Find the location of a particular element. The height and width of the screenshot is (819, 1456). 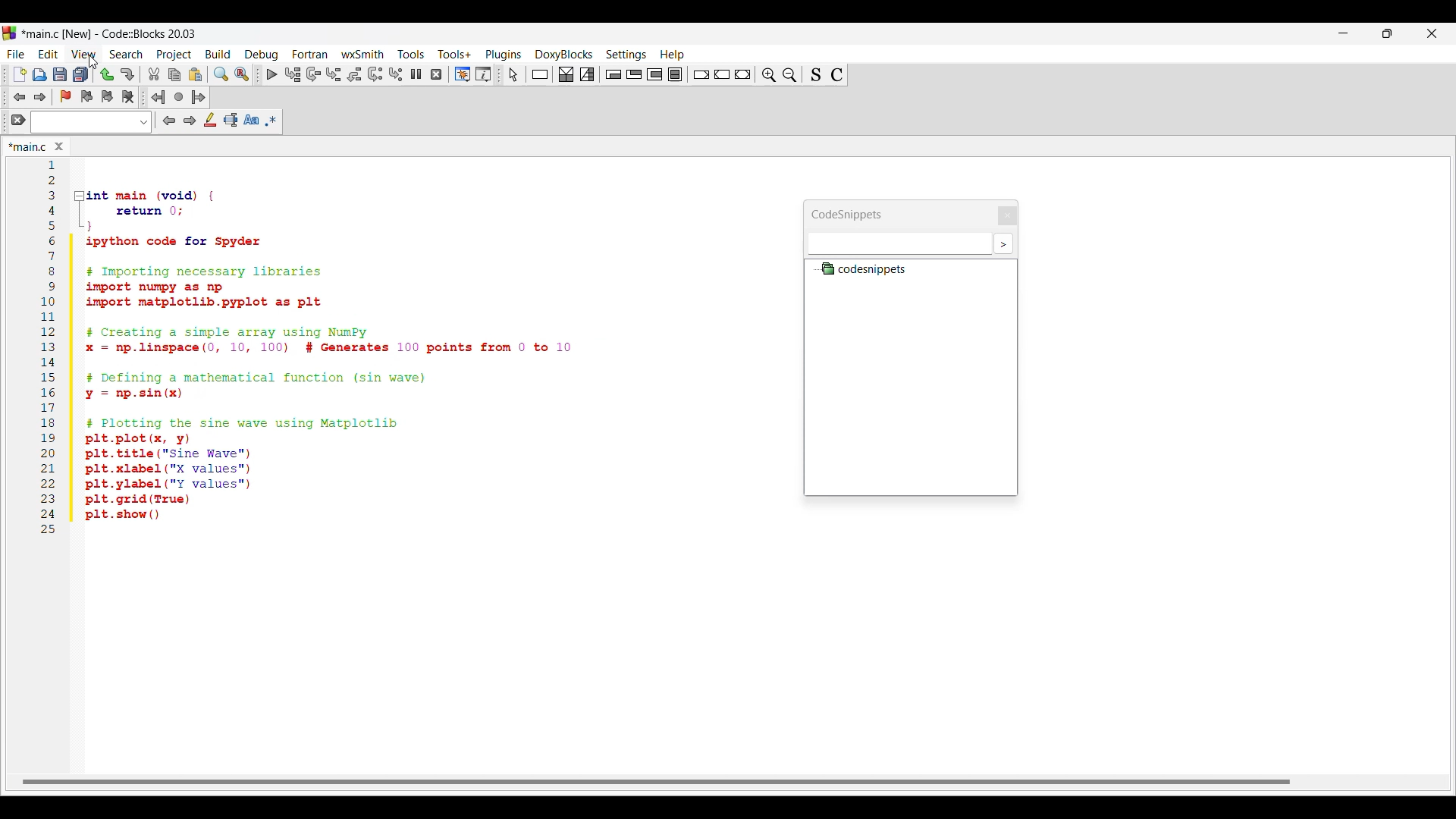

Find is located at coordinates (221, 74).